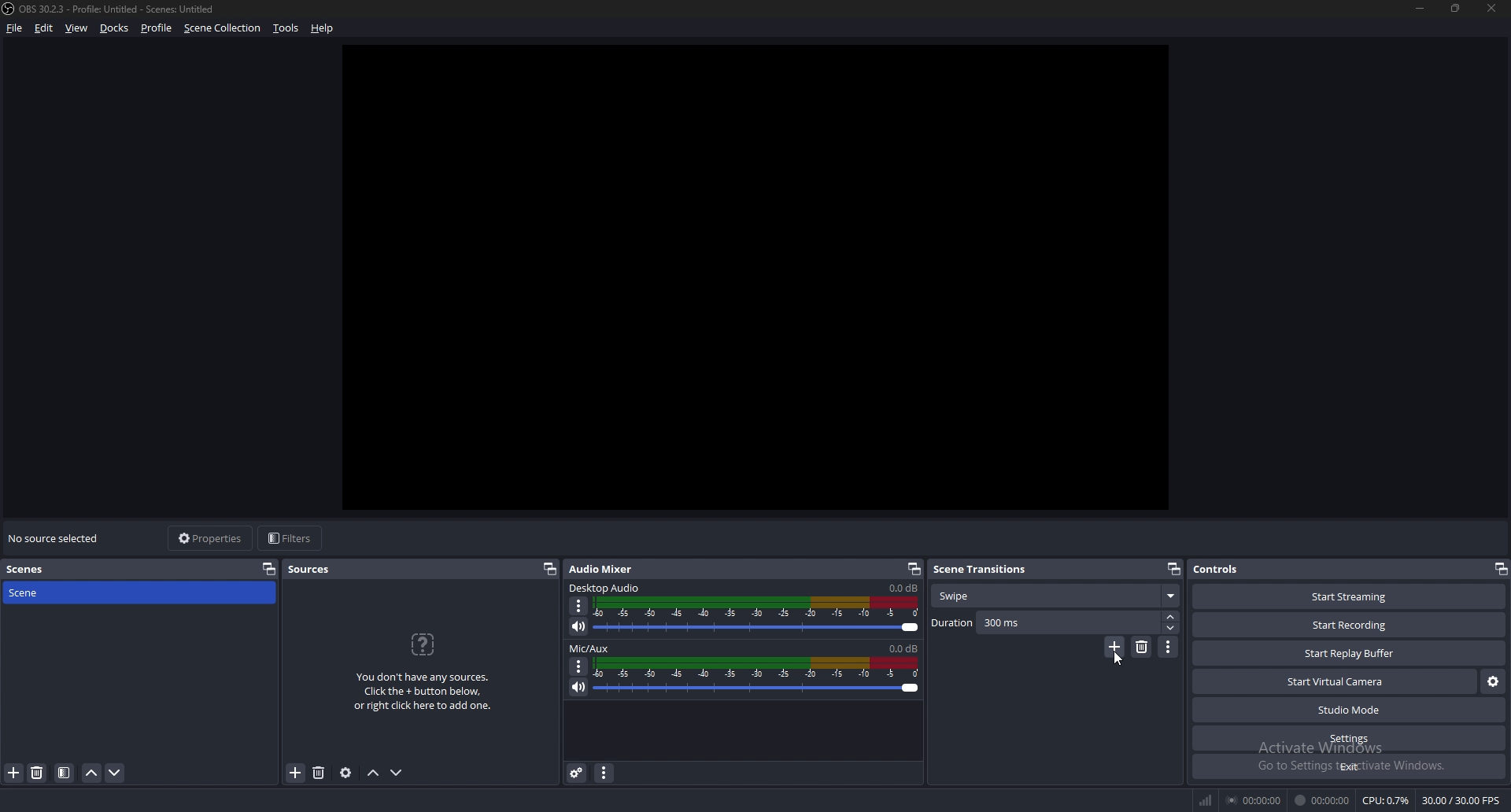 The height and width of the screenshot is (812, 1511). What do you see at coordinates (1350, 653) in the screenshot?
I see `start play buffer` at bounding box center [1350, 653].